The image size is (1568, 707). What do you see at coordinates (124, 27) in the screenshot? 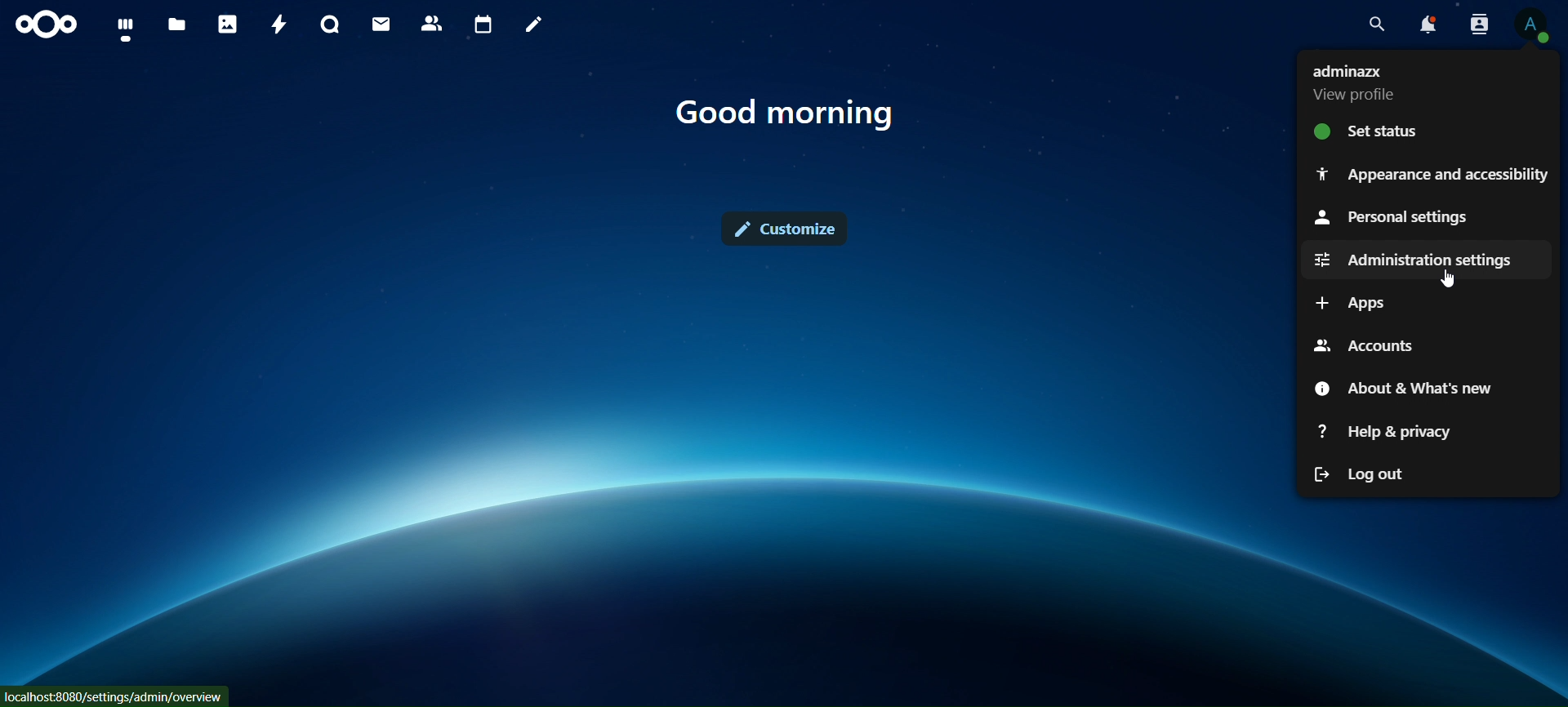
I see `dashboard` at bounding box center [124, 27].